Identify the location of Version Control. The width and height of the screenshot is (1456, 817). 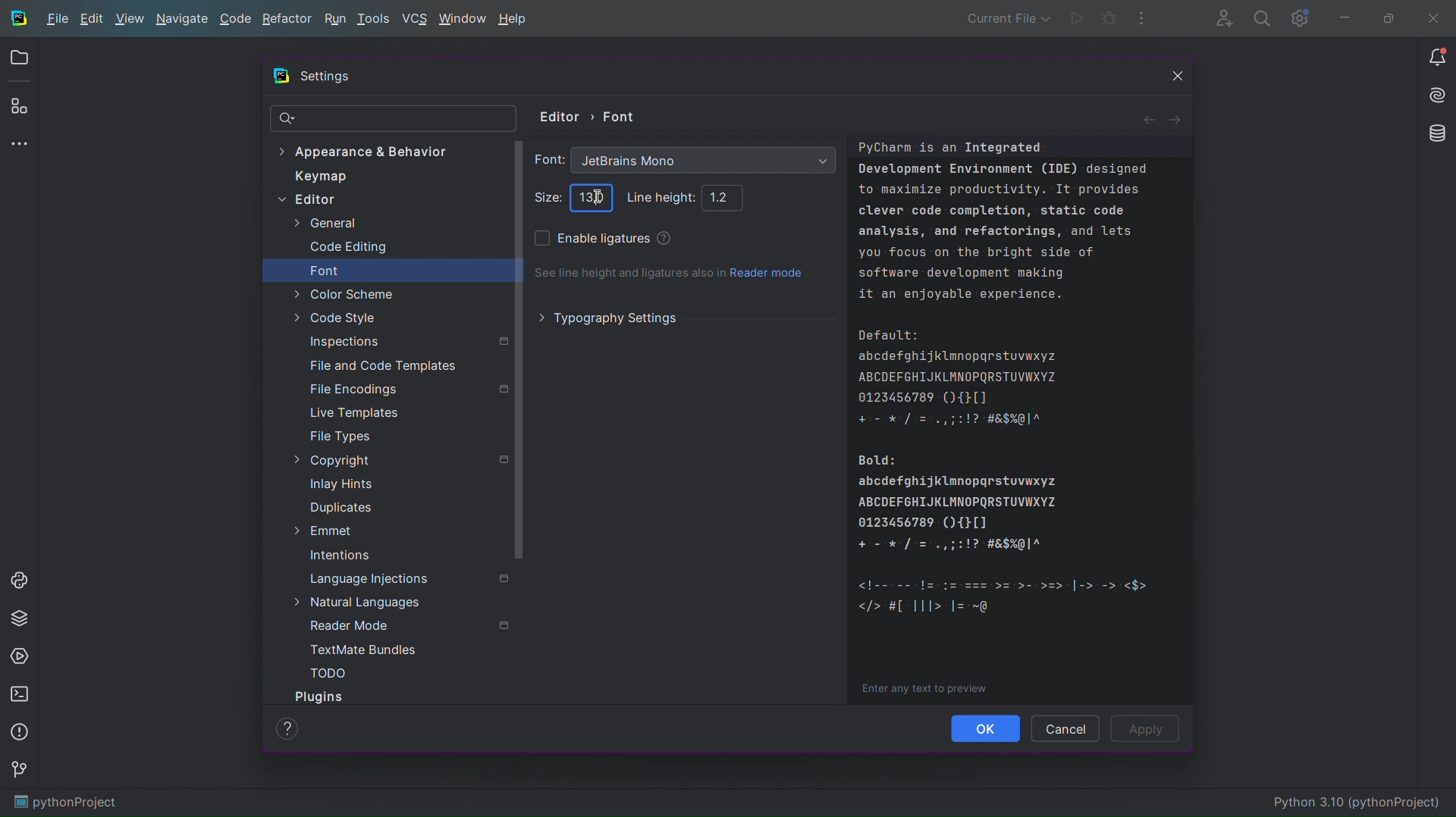
(22, 773).